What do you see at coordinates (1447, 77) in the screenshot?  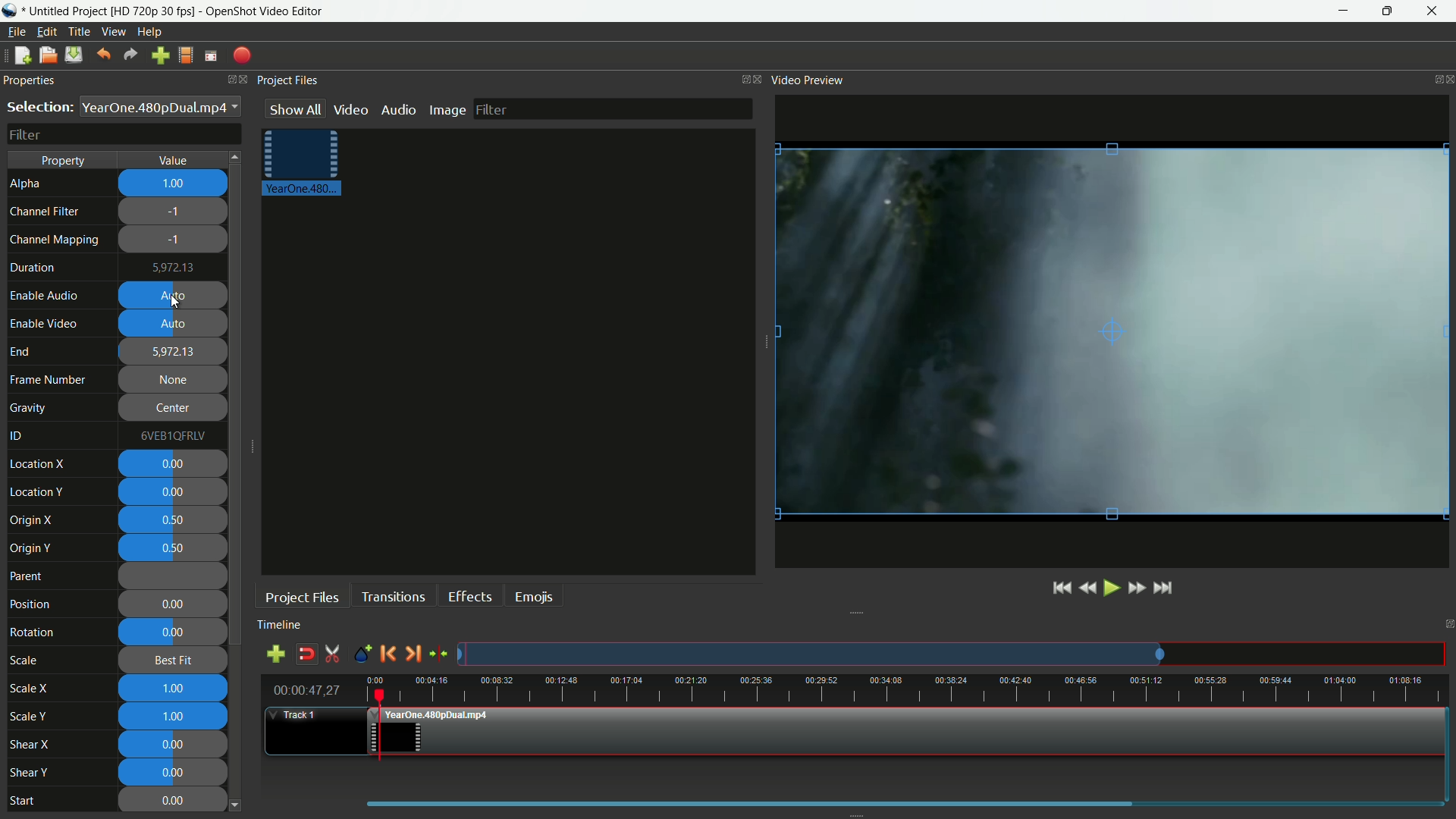 I see `close video preview` at bounding box center [1447, 77].